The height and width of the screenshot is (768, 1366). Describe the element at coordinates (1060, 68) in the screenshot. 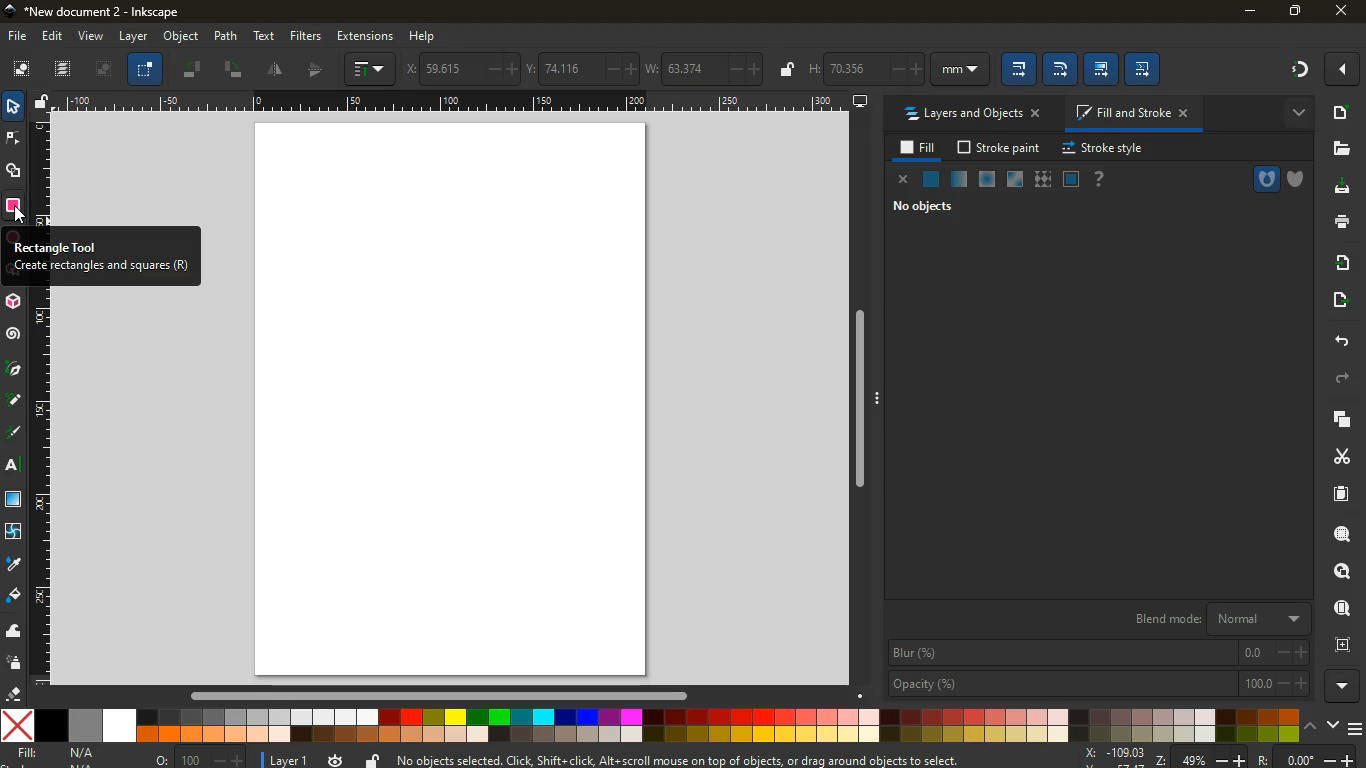

I see `edit` at that location.